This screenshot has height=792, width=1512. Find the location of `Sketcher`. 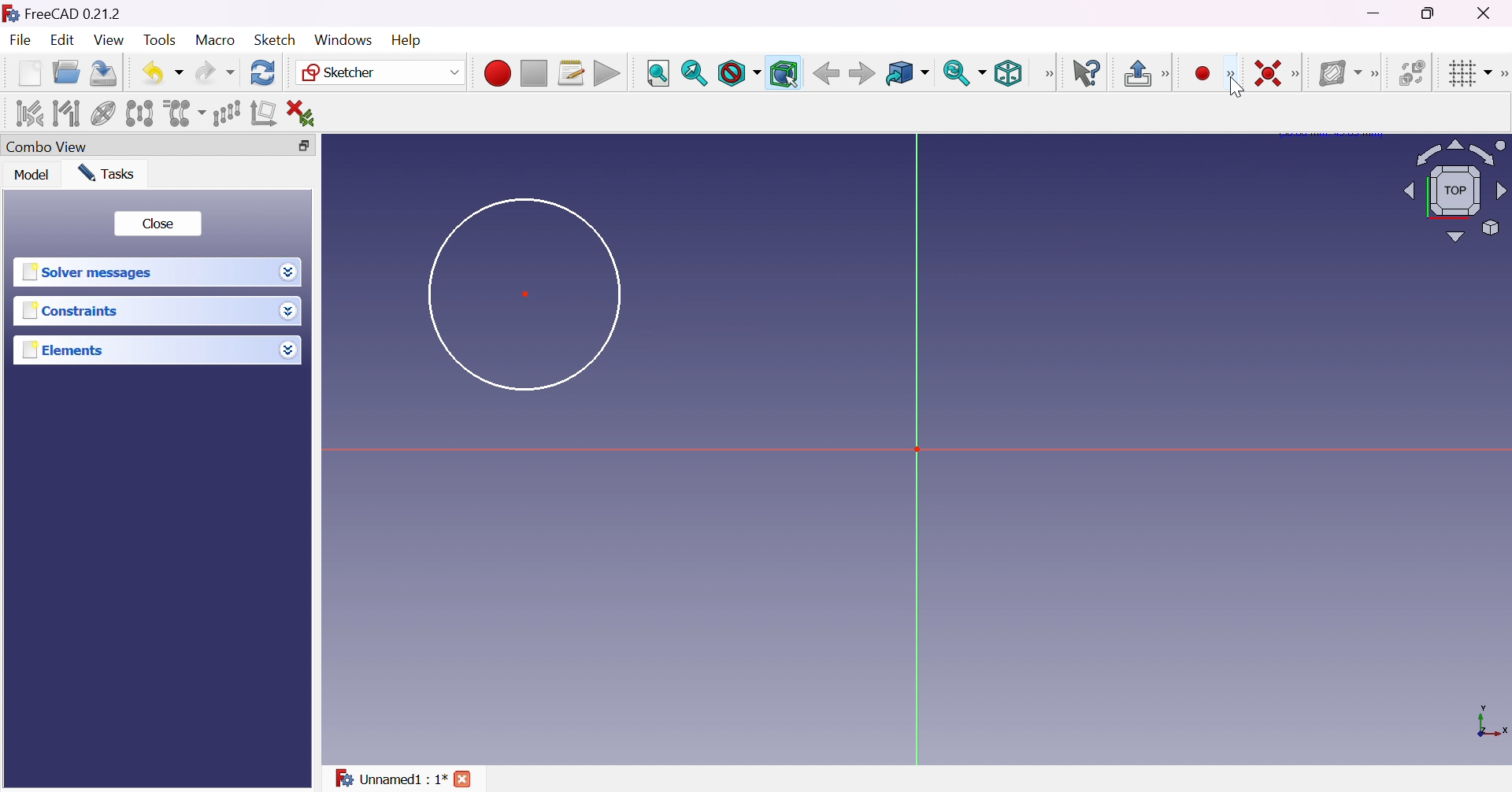

Sketcher is located at coordinates (378, 72).